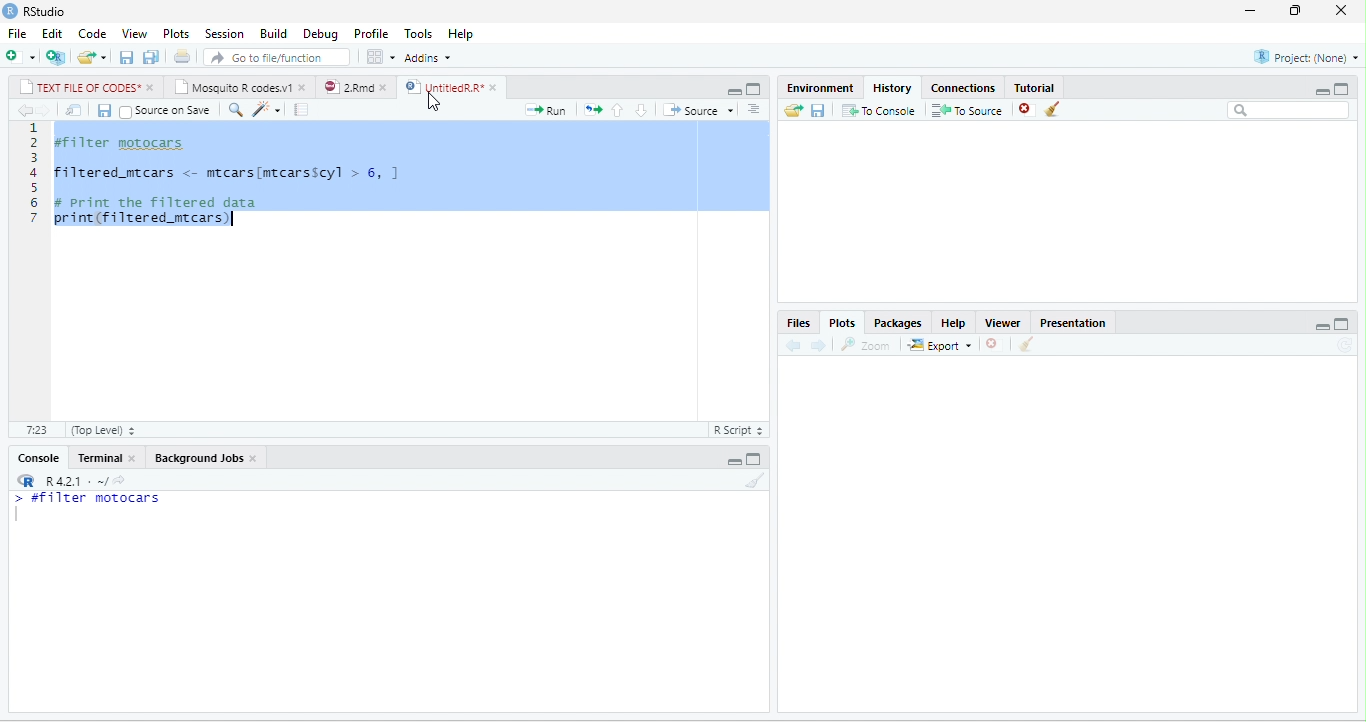 Image resolution: width=1366 pixels, height=722 pixels. I want to click on History, so click(892, 88).